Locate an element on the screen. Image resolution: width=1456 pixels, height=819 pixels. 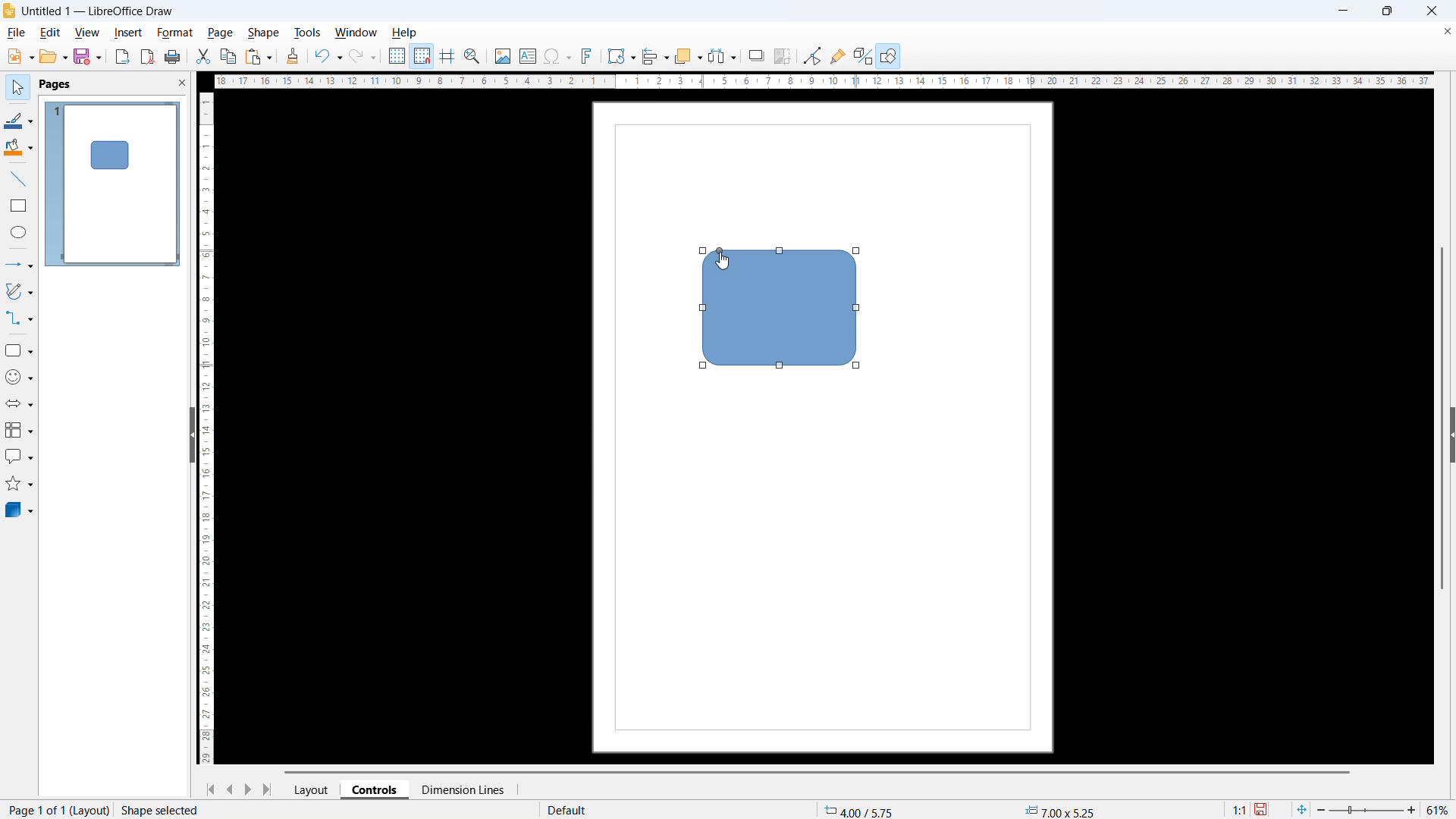
Tools  is located at coordinates (308, 32).